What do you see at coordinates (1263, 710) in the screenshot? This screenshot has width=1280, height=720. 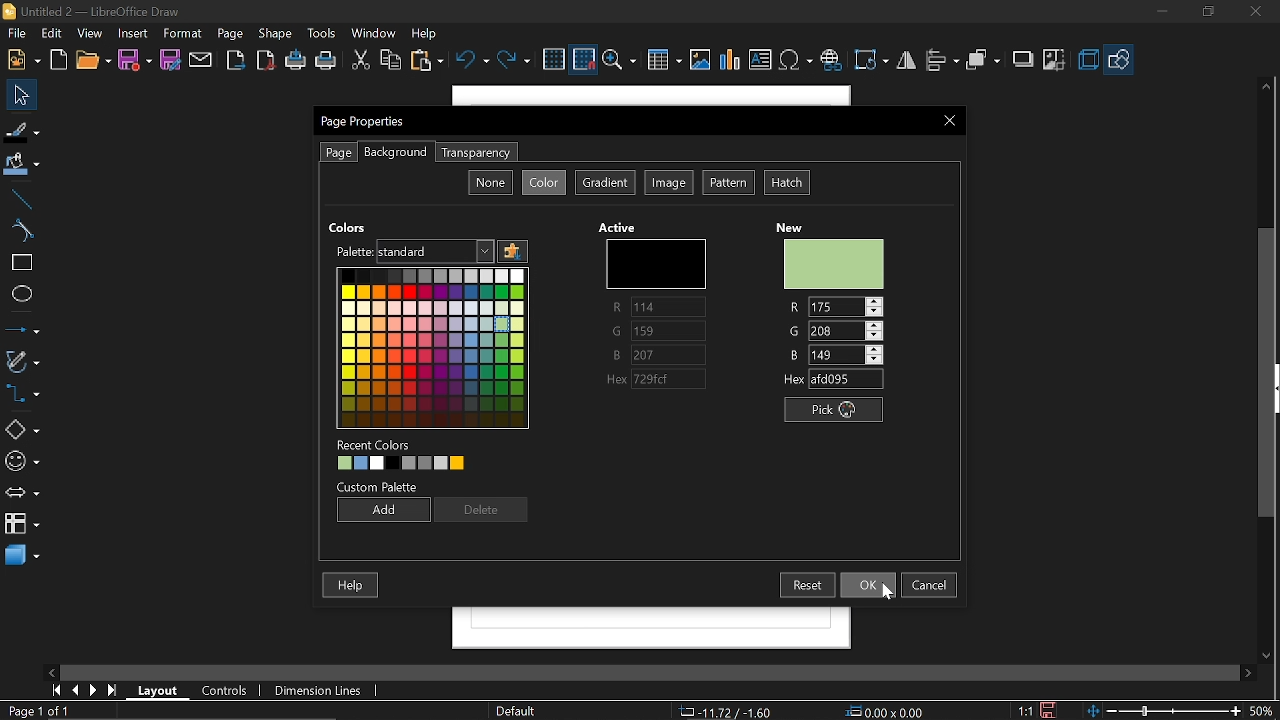 I see `Current zoom` at bounding box center [1263, 710].